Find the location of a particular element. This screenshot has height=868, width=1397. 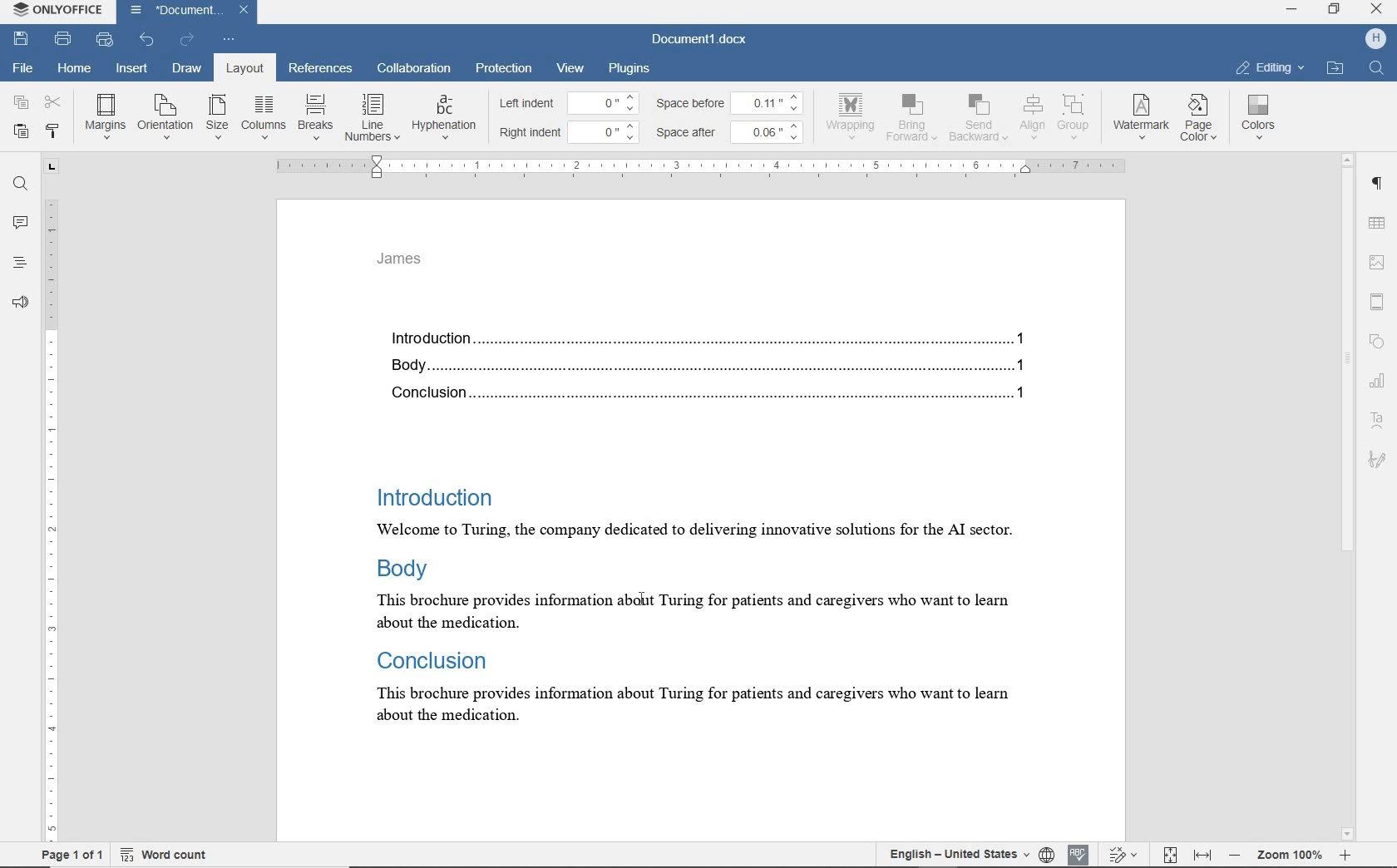

customize quick access  is located at coordinates (230, 40).